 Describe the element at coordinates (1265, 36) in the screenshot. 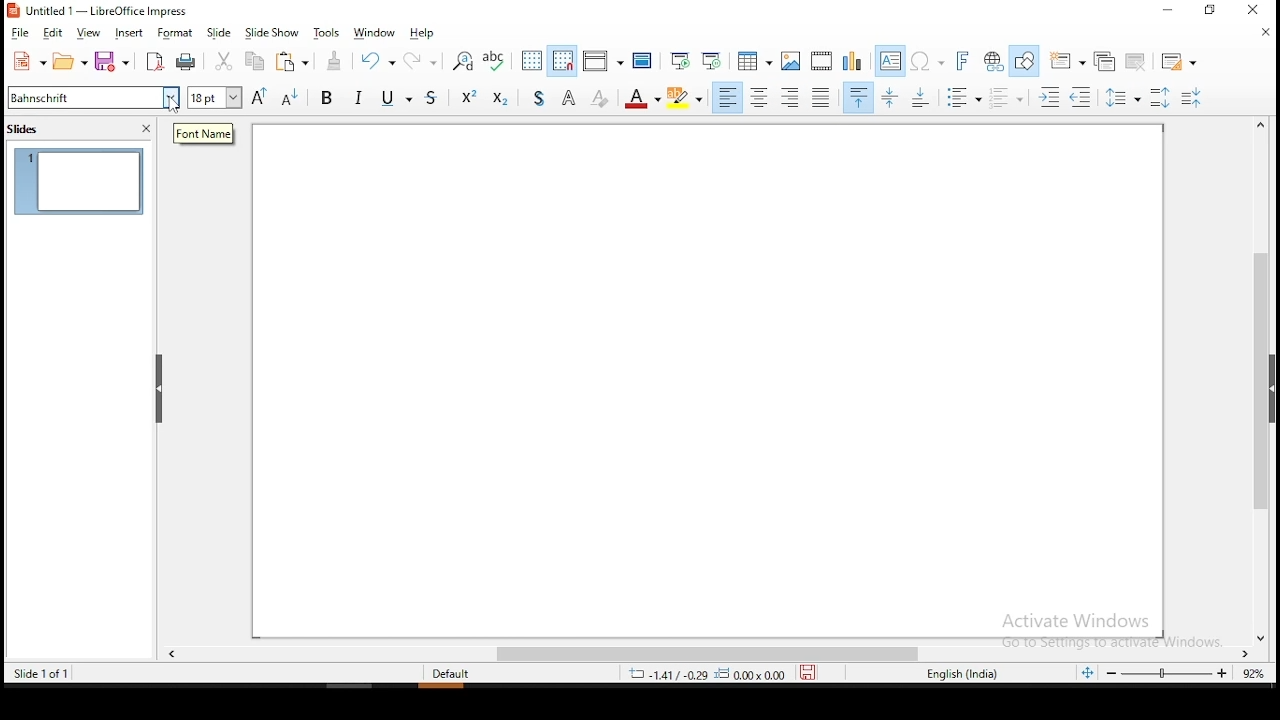

I see `close` at that location.